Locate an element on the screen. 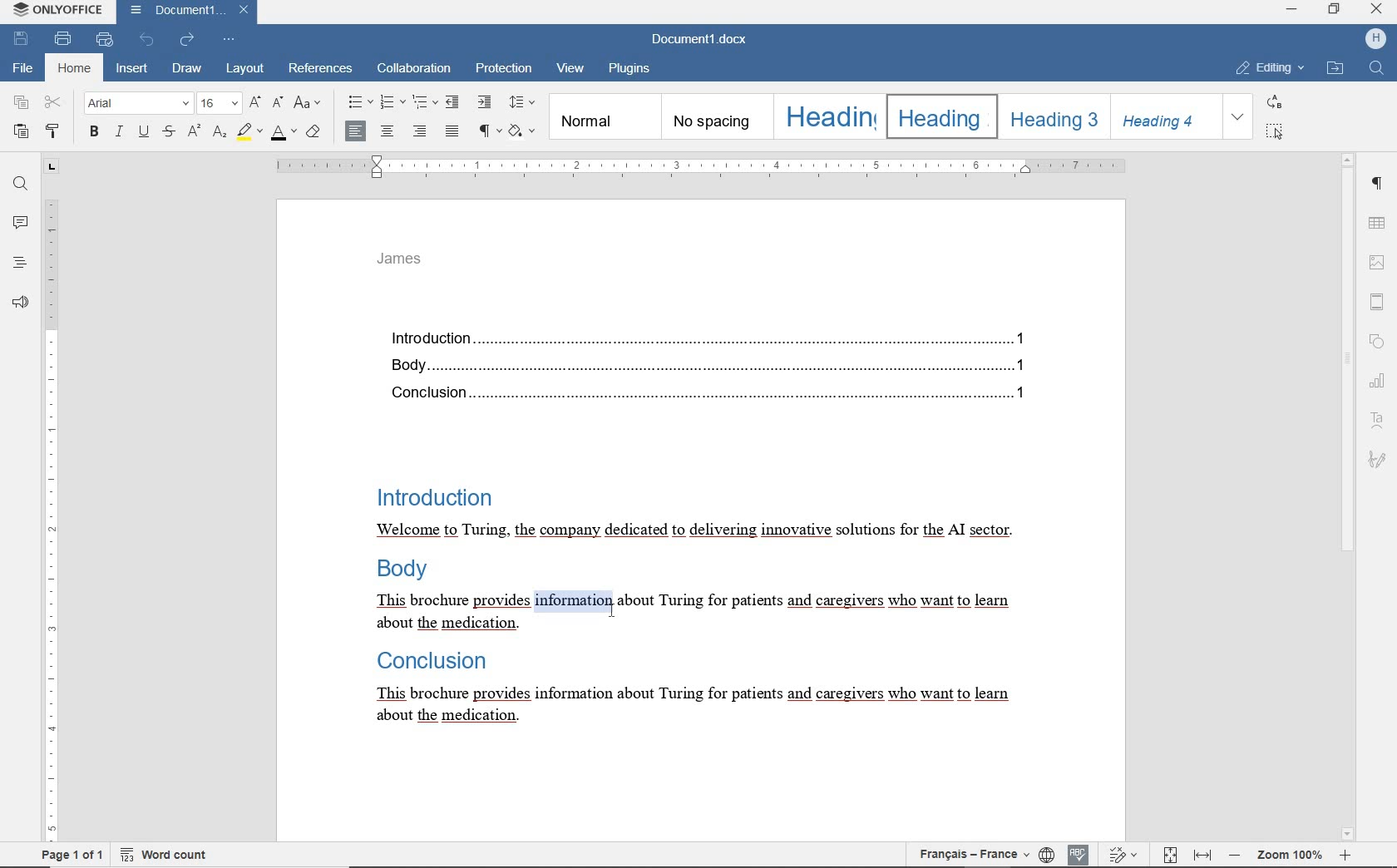  MINIMIZE is located at coordinates (1292, 8).